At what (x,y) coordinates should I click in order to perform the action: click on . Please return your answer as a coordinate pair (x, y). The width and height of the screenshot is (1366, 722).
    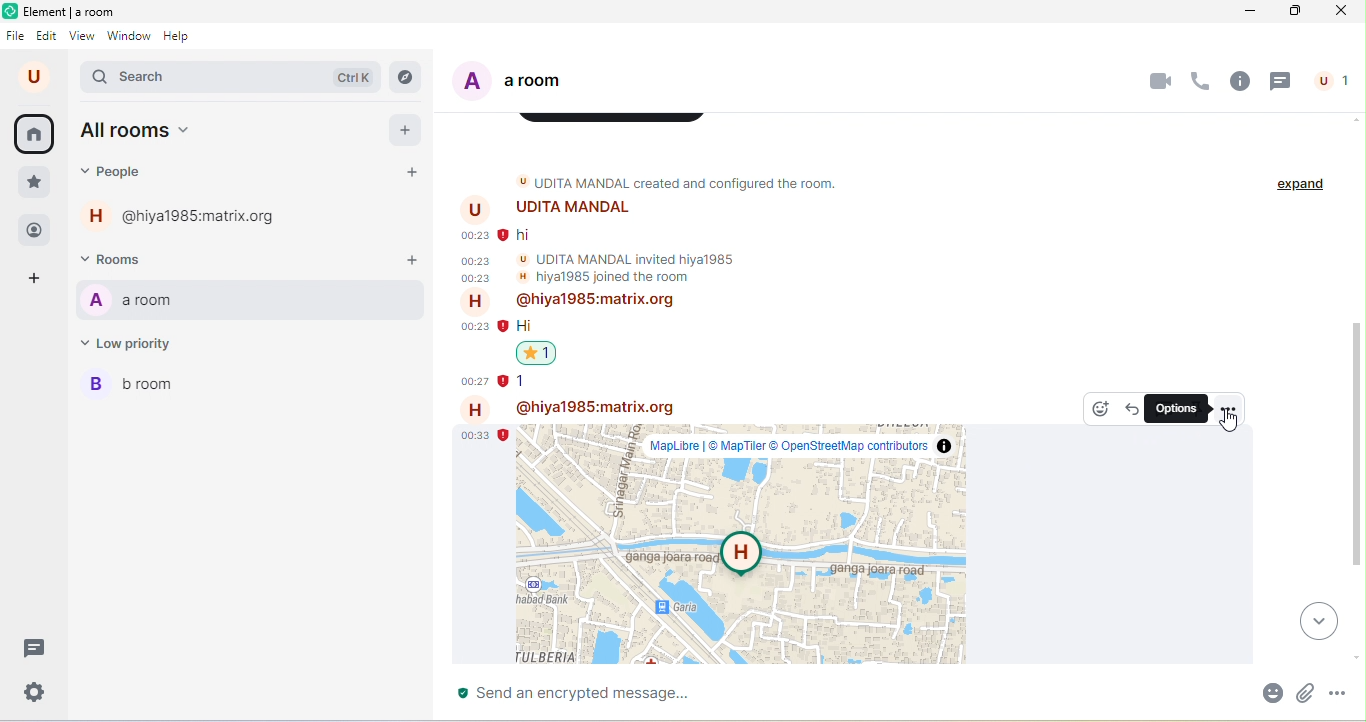
    Looking at the image, I should click on (473, 355).